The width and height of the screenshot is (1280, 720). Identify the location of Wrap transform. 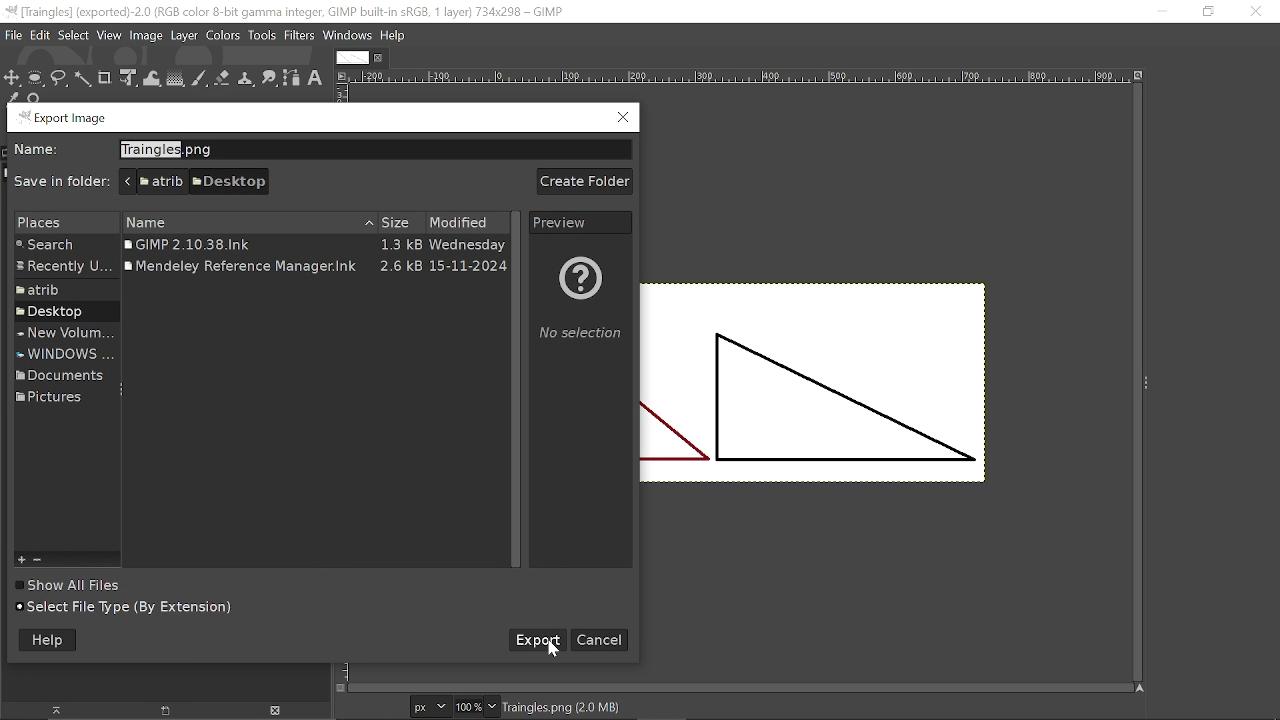
(153, 79).